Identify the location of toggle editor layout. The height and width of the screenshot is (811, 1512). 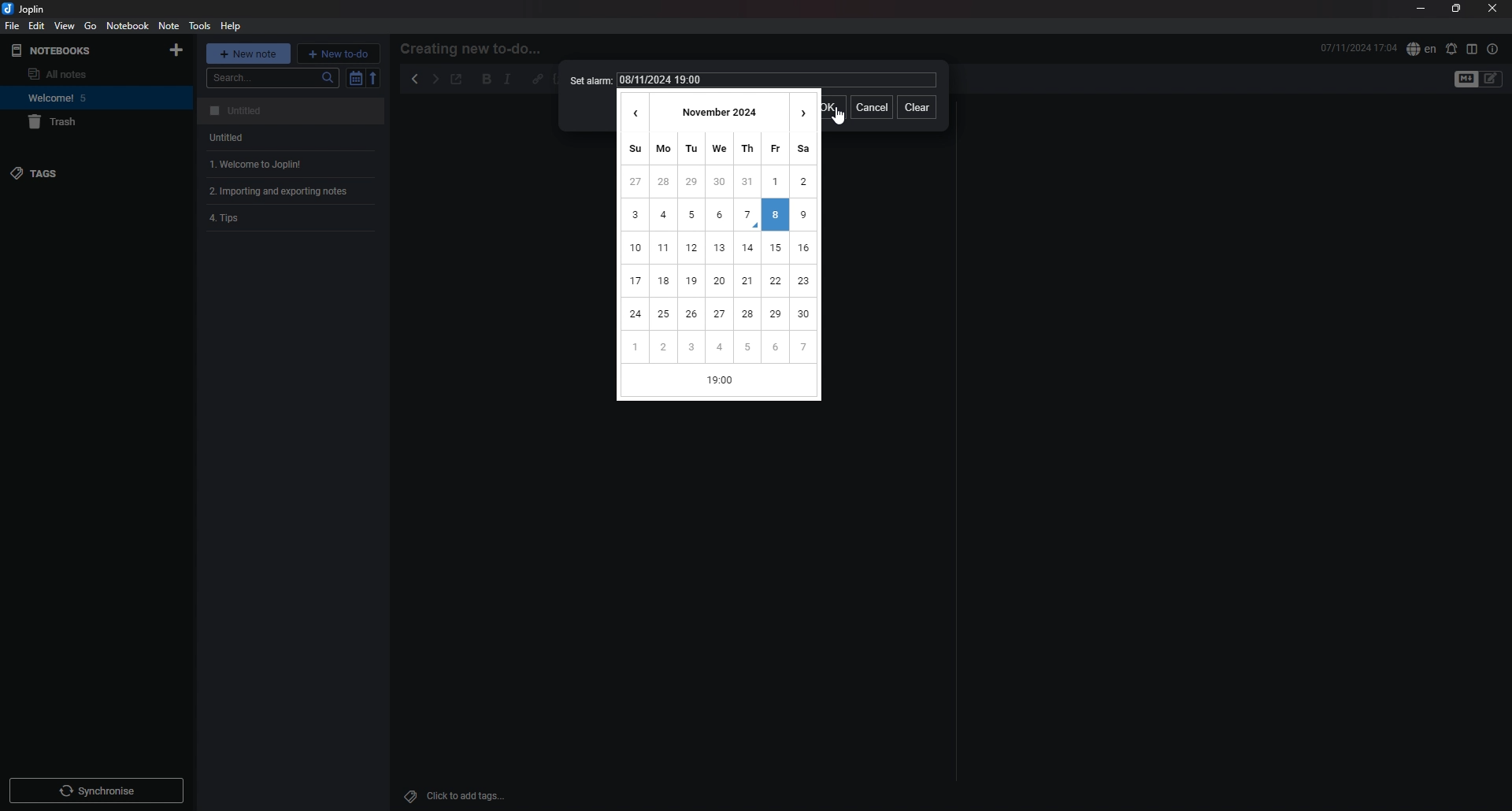
(1472, 49).